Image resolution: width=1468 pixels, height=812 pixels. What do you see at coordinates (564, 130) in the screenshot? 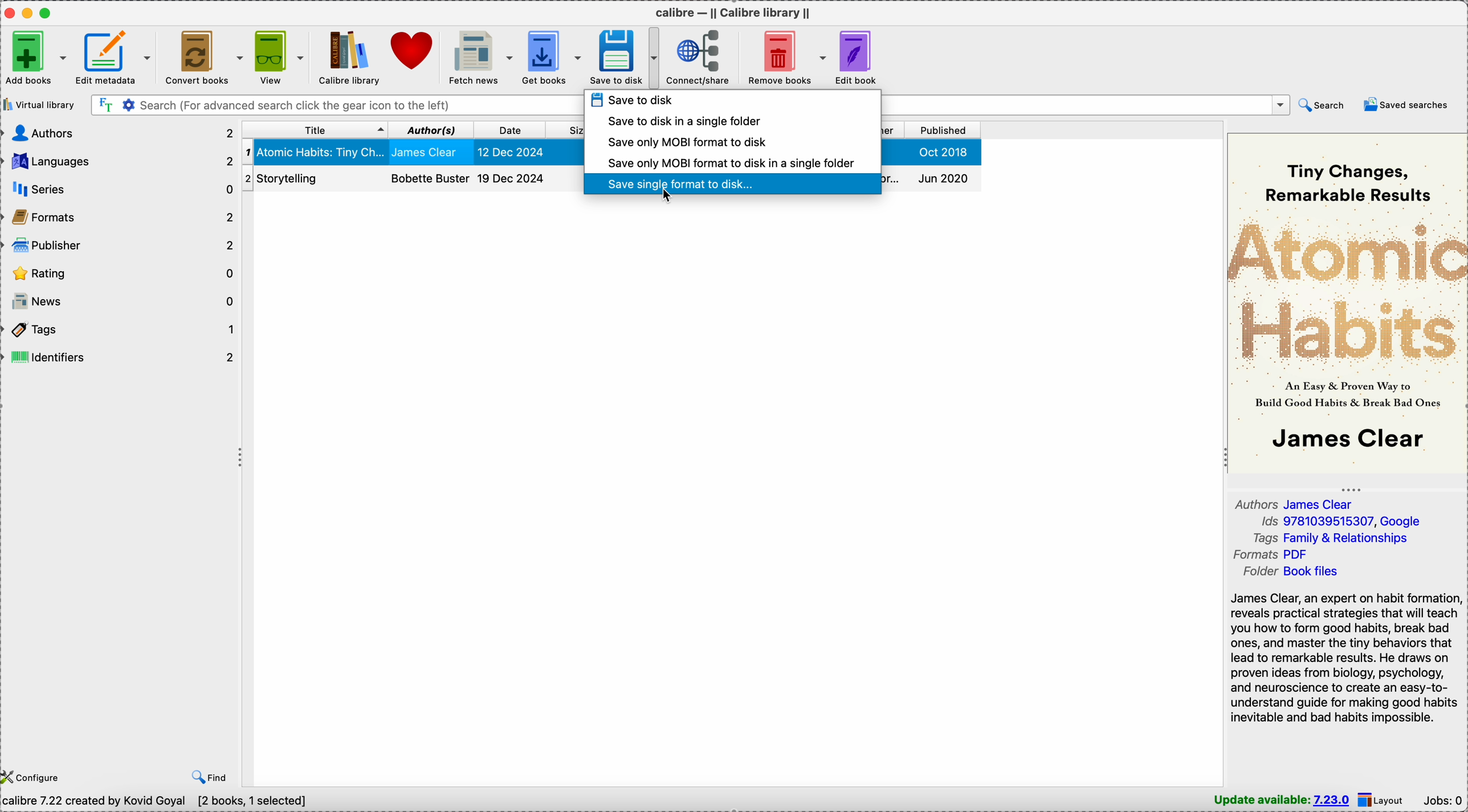
I see `size` at bounding box center [564, 130].